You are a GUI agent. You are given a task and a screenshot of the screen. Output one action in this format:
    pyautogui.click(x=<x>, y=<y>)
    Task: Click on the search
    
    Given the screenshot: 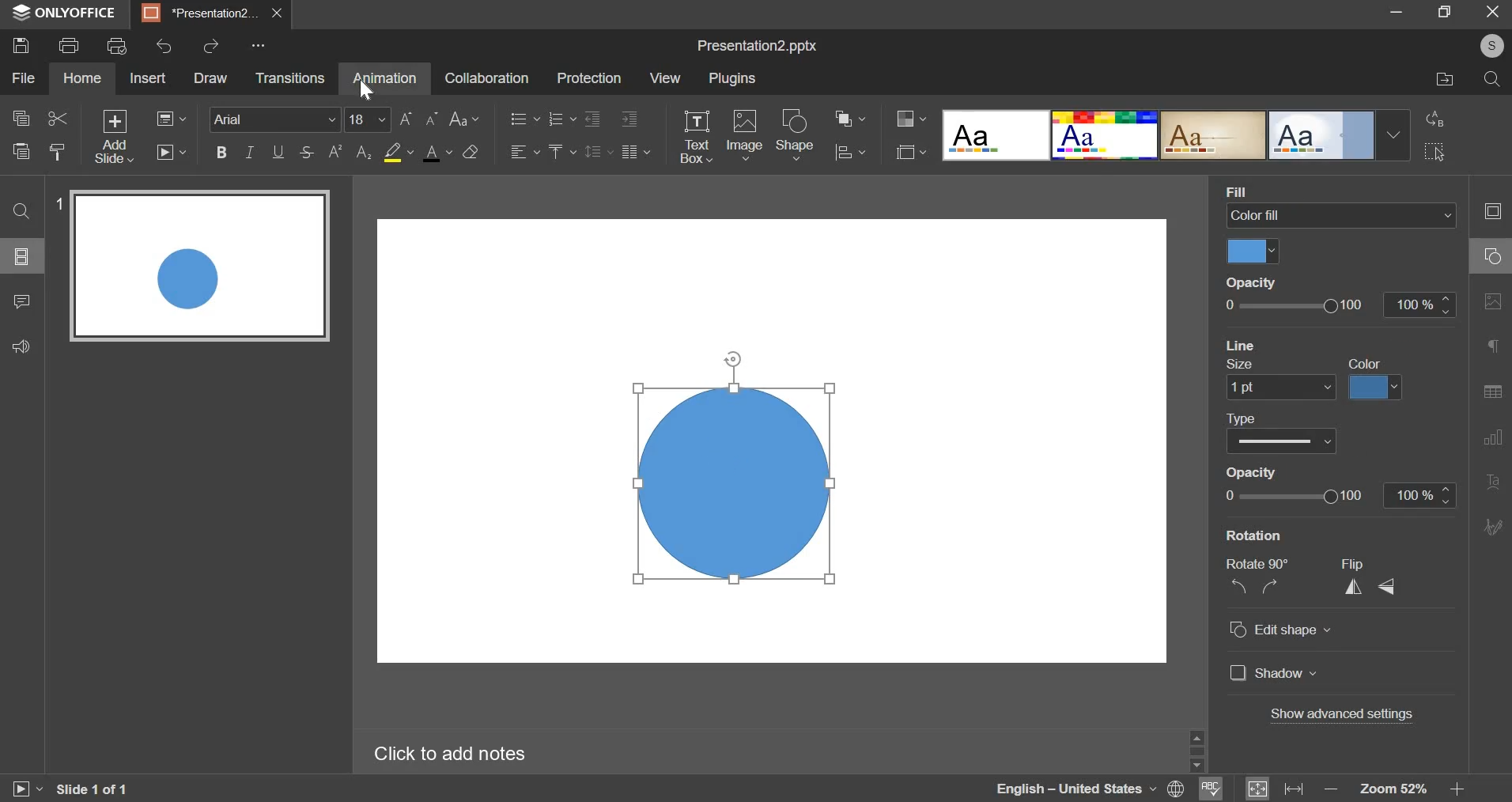 What is the action you would take?
    pyautogui.click(x=1494, y=79)
    